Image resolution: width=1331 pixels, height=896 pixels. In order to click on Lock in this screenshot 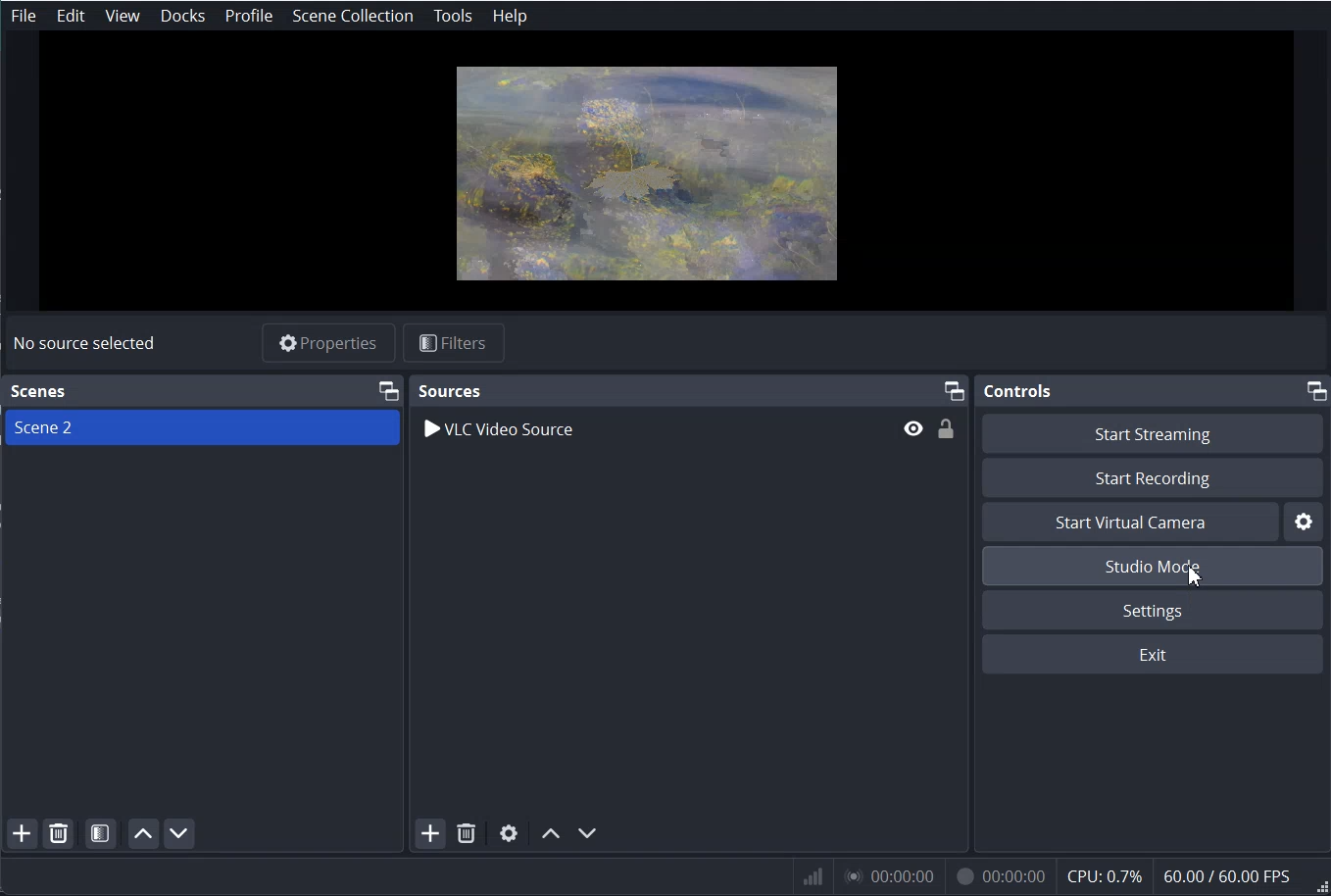, I will do `click(946, 428)`.